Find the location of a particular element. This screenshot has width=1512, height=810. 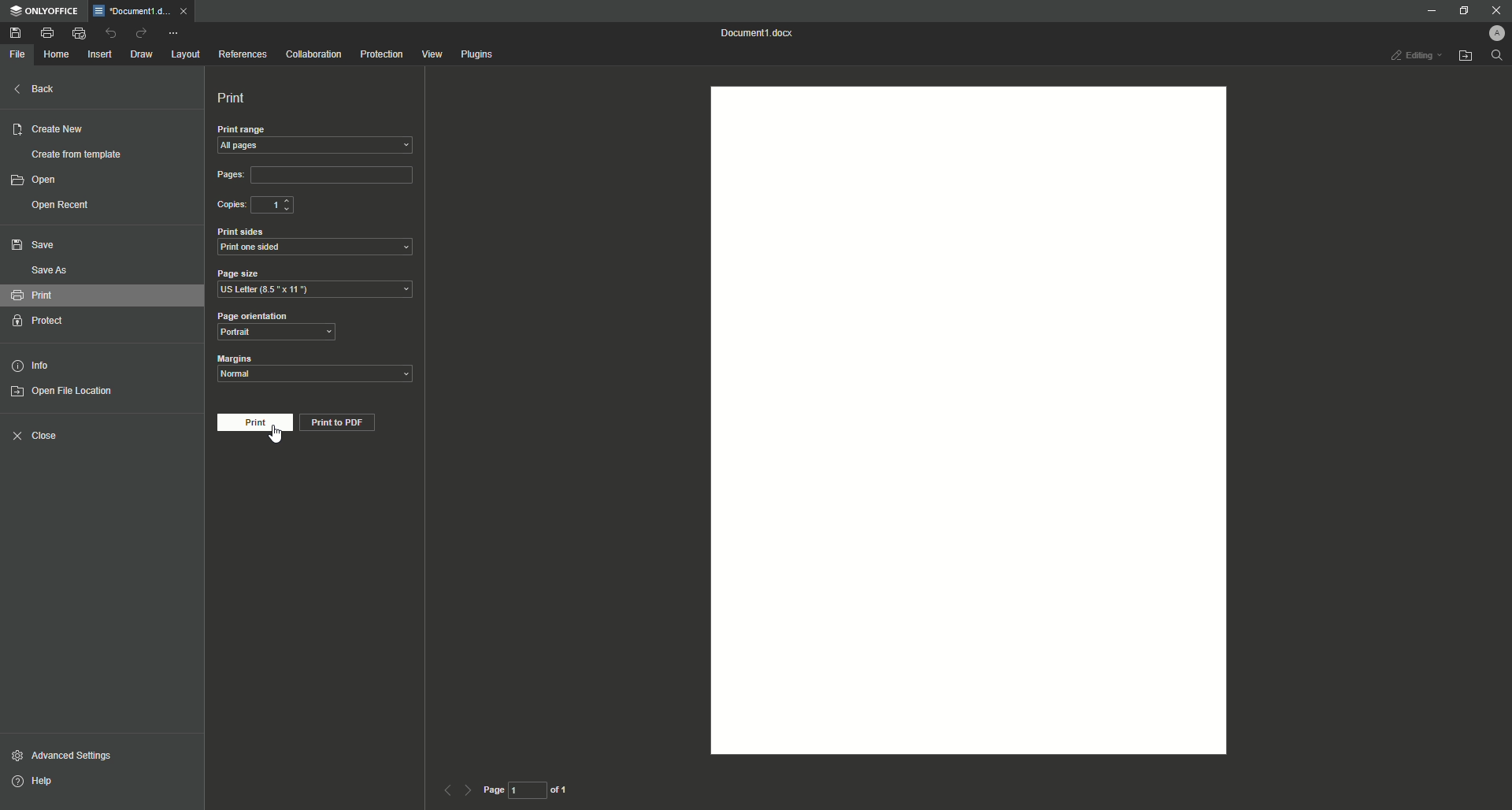

Profile is located at coordinates (1490, 32).